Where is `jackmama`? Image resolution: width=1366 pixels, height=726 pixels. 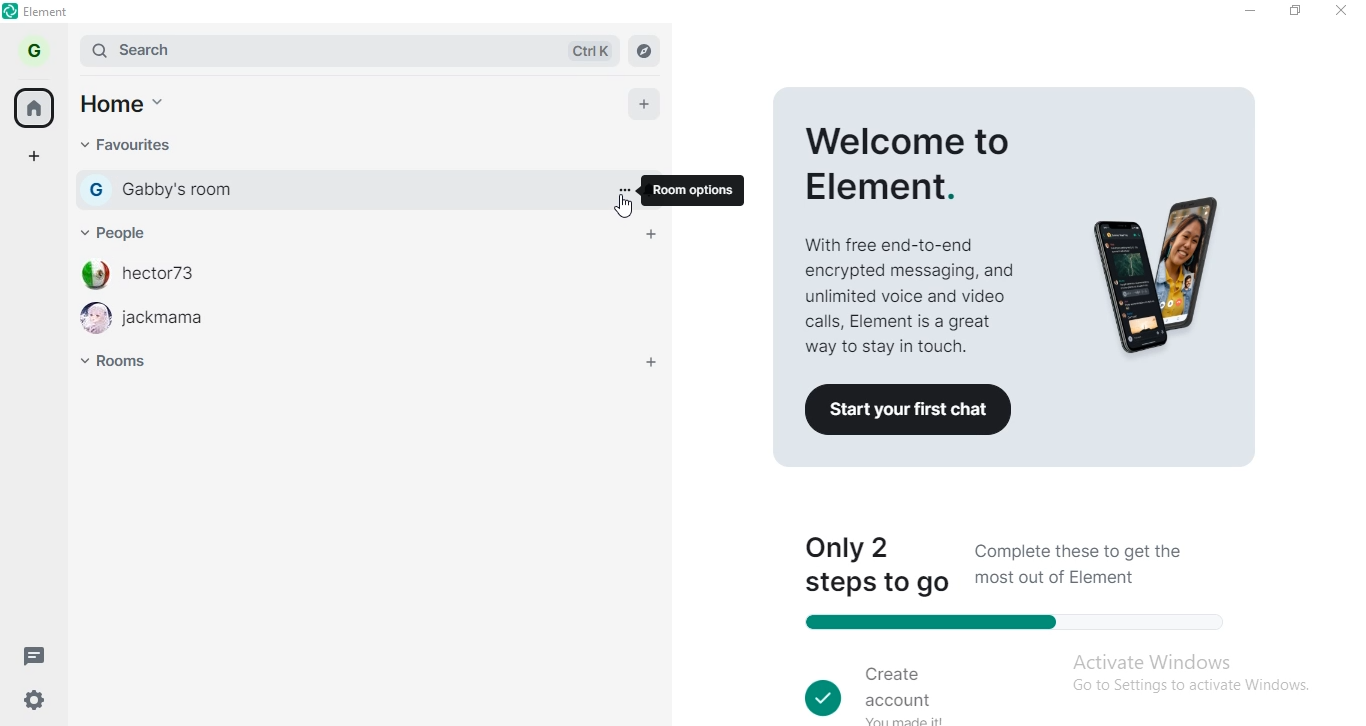 jackmama is located at coordinates (177, 322).